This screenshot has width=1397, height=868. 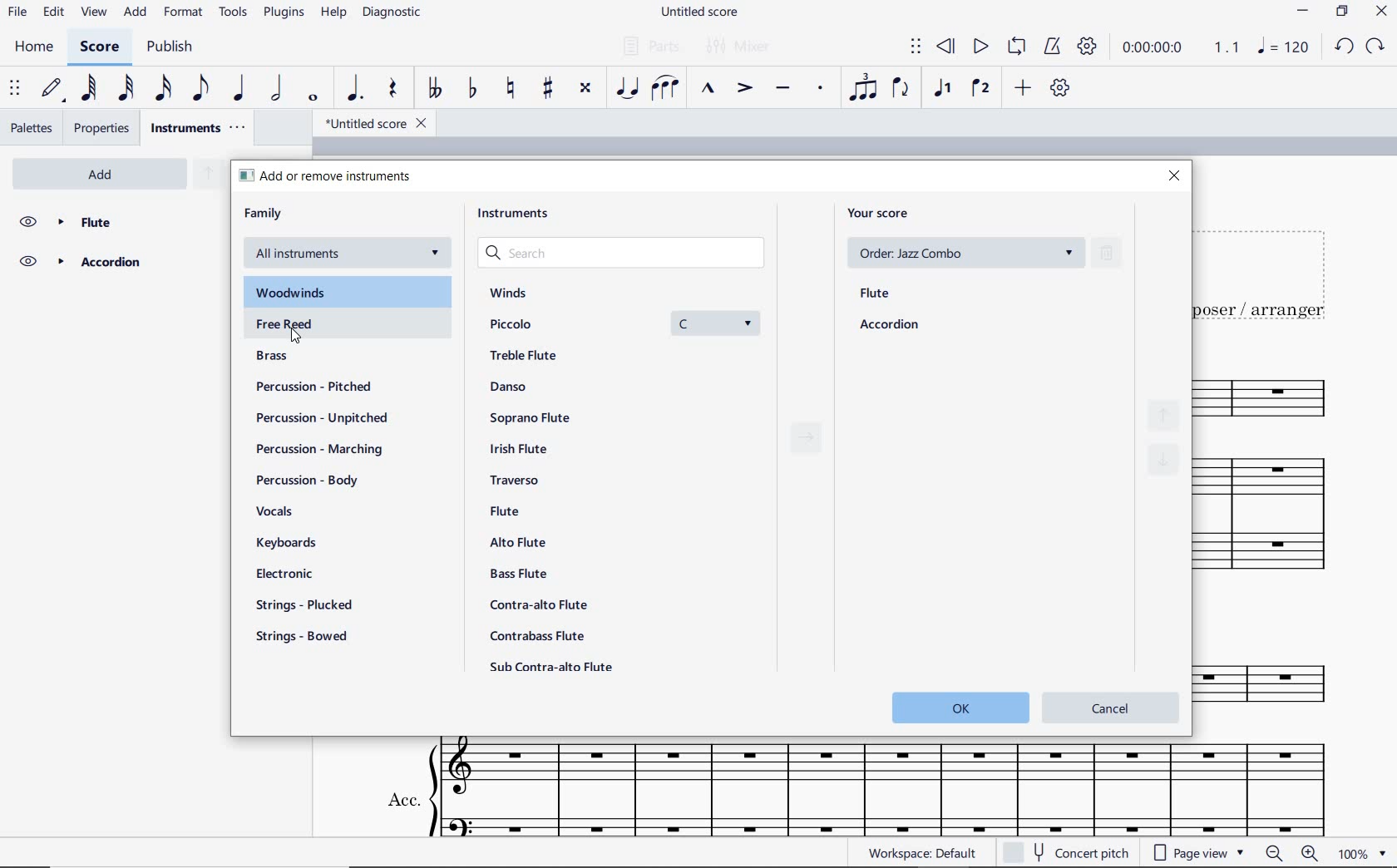 I want to click on VIEW, so click(x=95, y=12).